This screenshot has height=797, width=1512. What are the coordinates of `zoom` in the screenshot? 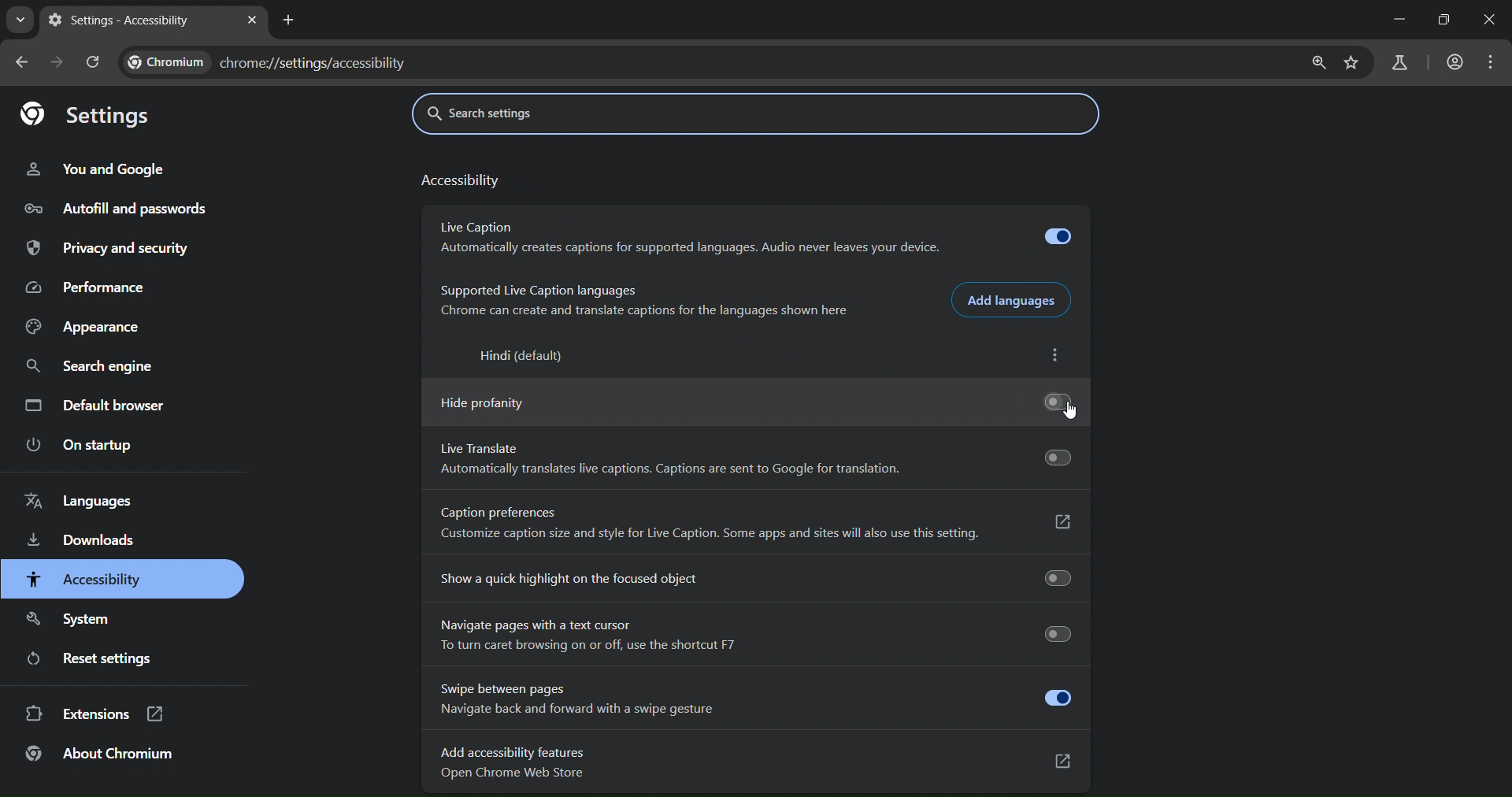 It's located at (1320, 64).